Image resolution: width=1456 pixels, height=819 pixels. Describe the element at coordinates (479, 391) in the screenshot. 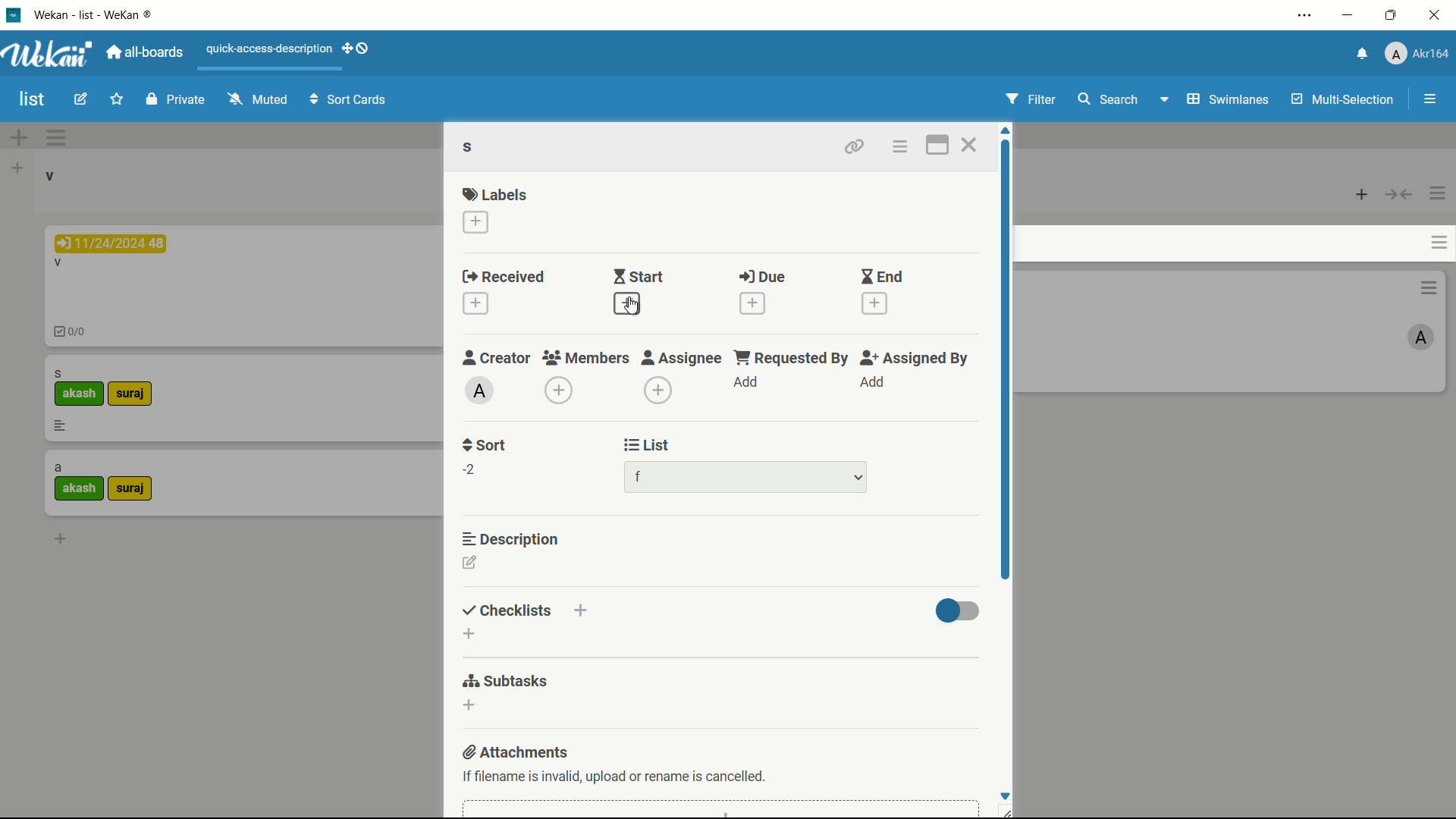

I see `admin` at that location.